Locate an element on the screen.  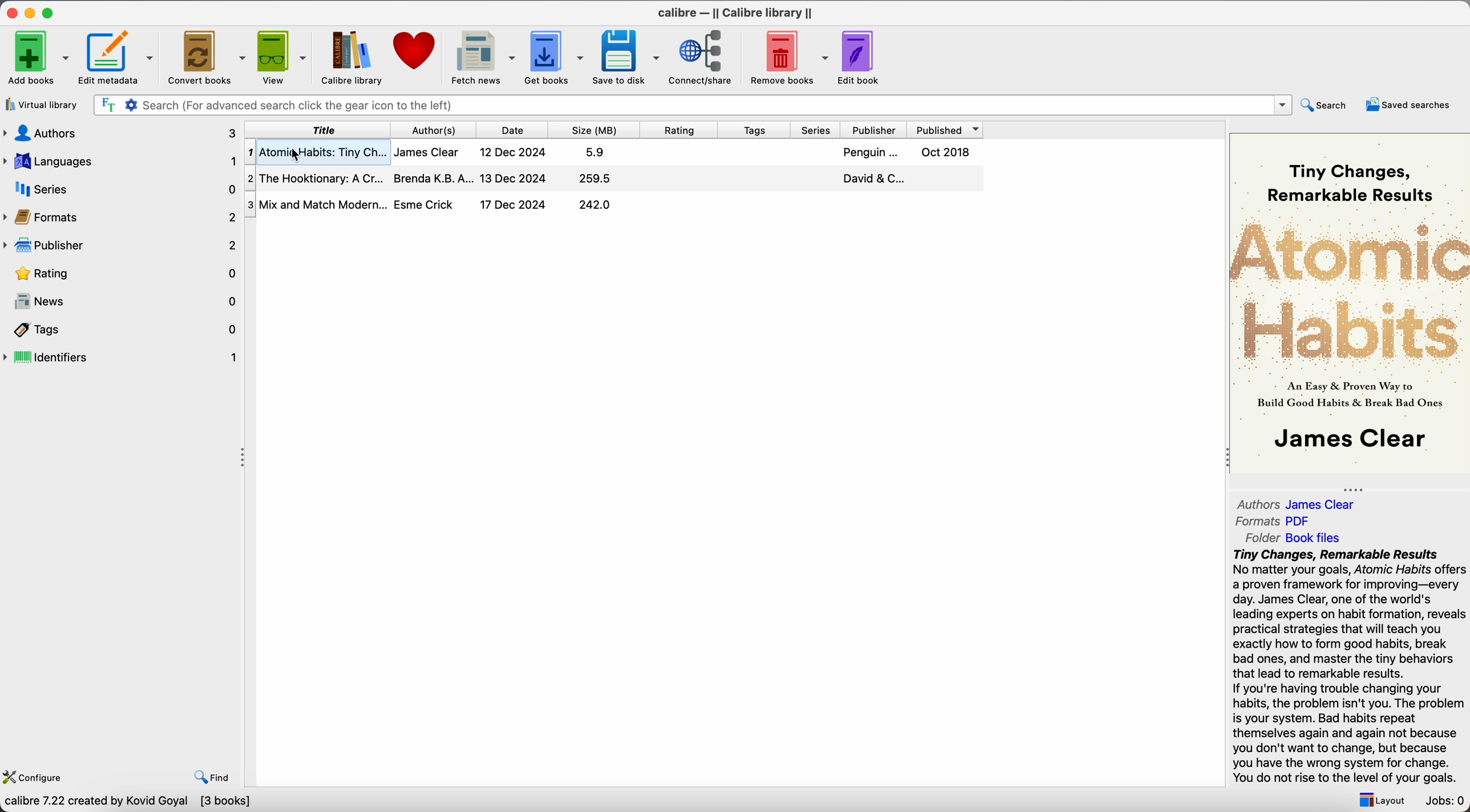
Add books is located at coordinates (37, 58).